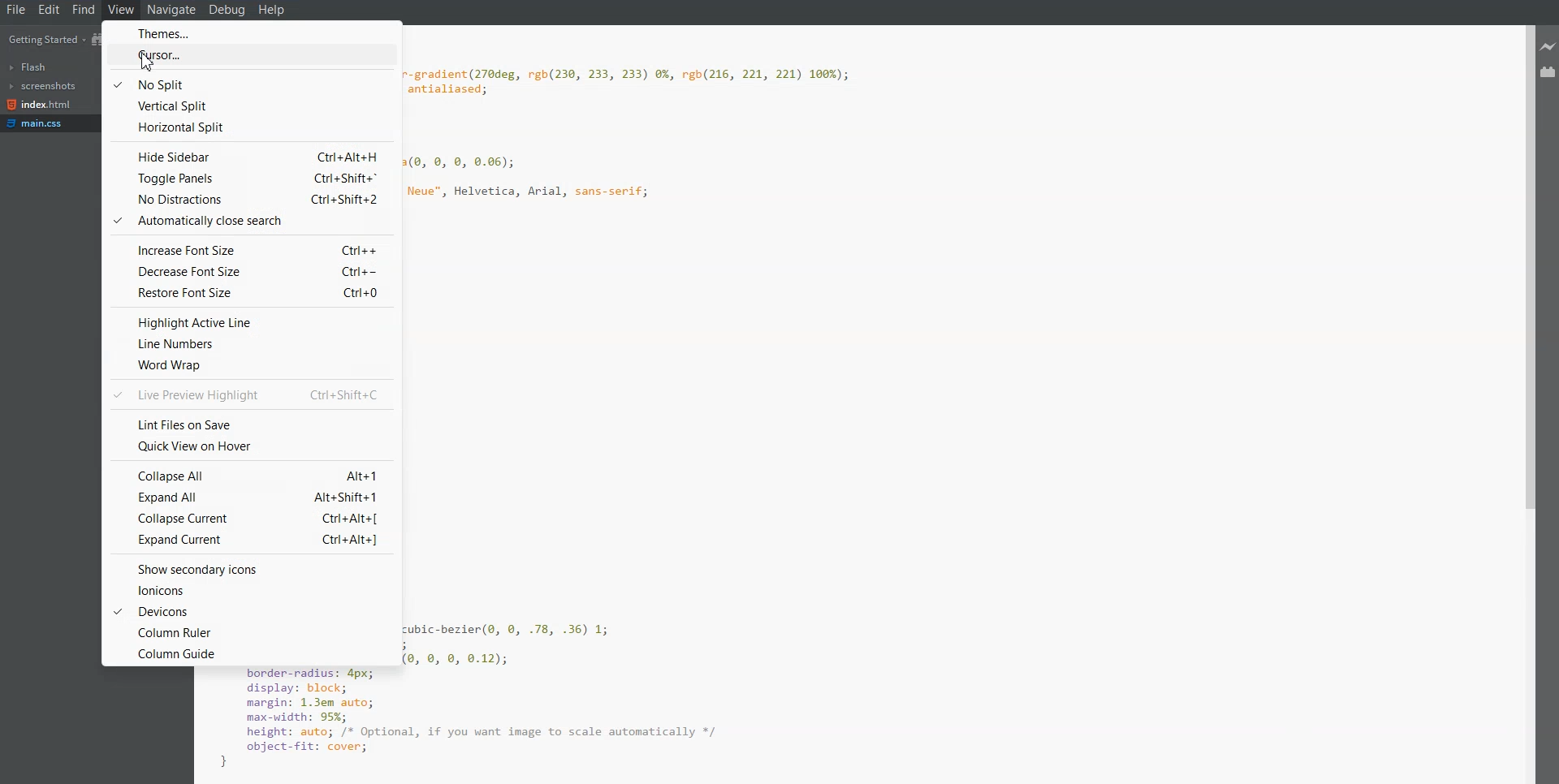 Image resolution: width=1559 pixels, height=784 pixels. What do you see at coordinates (250, 84) in the screenshot?
I see `No Split` at bounding box center [250, 84].